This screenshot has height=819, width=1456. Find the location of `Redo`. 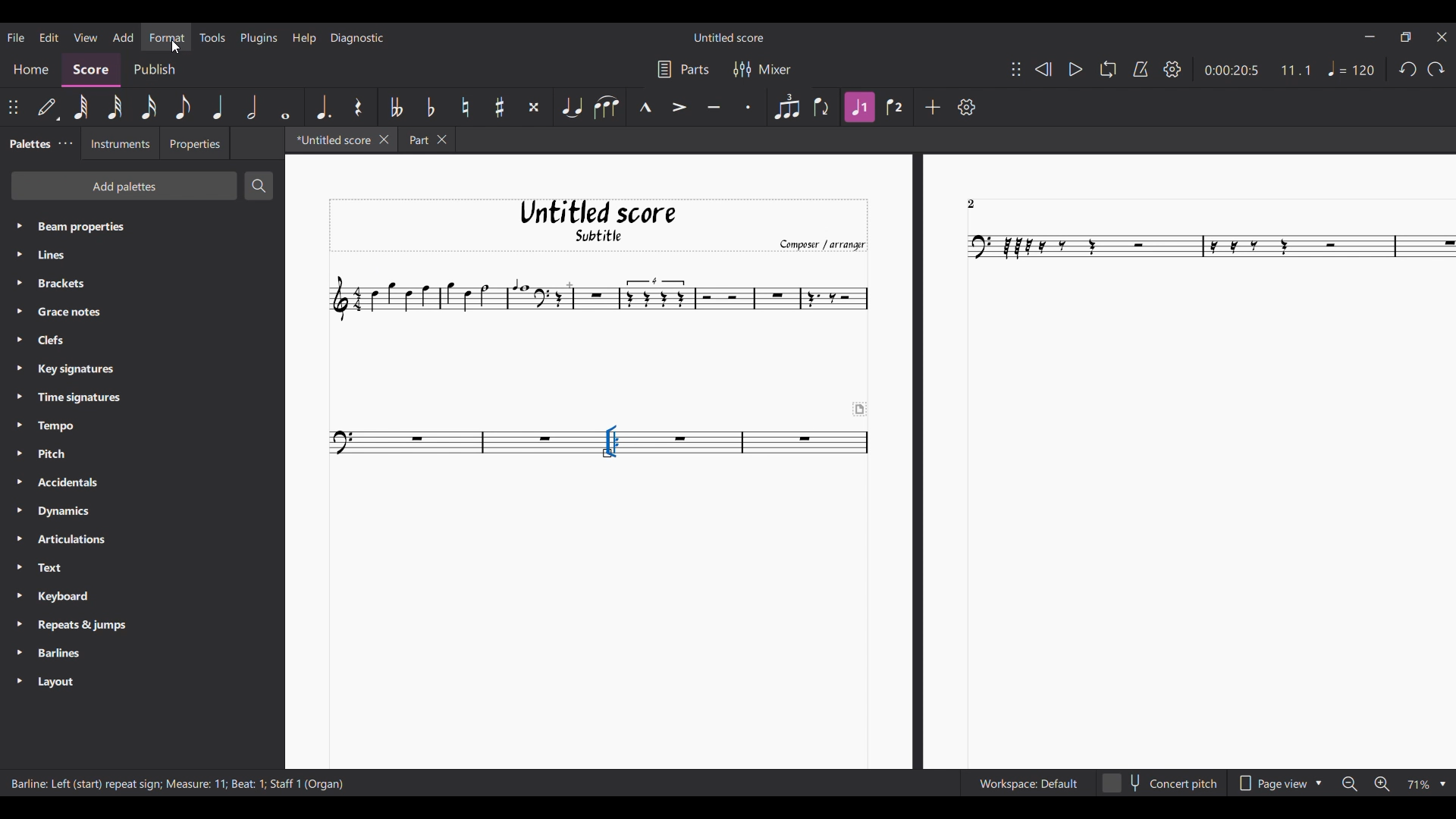

Redo is located at coordinates (1436, 69).